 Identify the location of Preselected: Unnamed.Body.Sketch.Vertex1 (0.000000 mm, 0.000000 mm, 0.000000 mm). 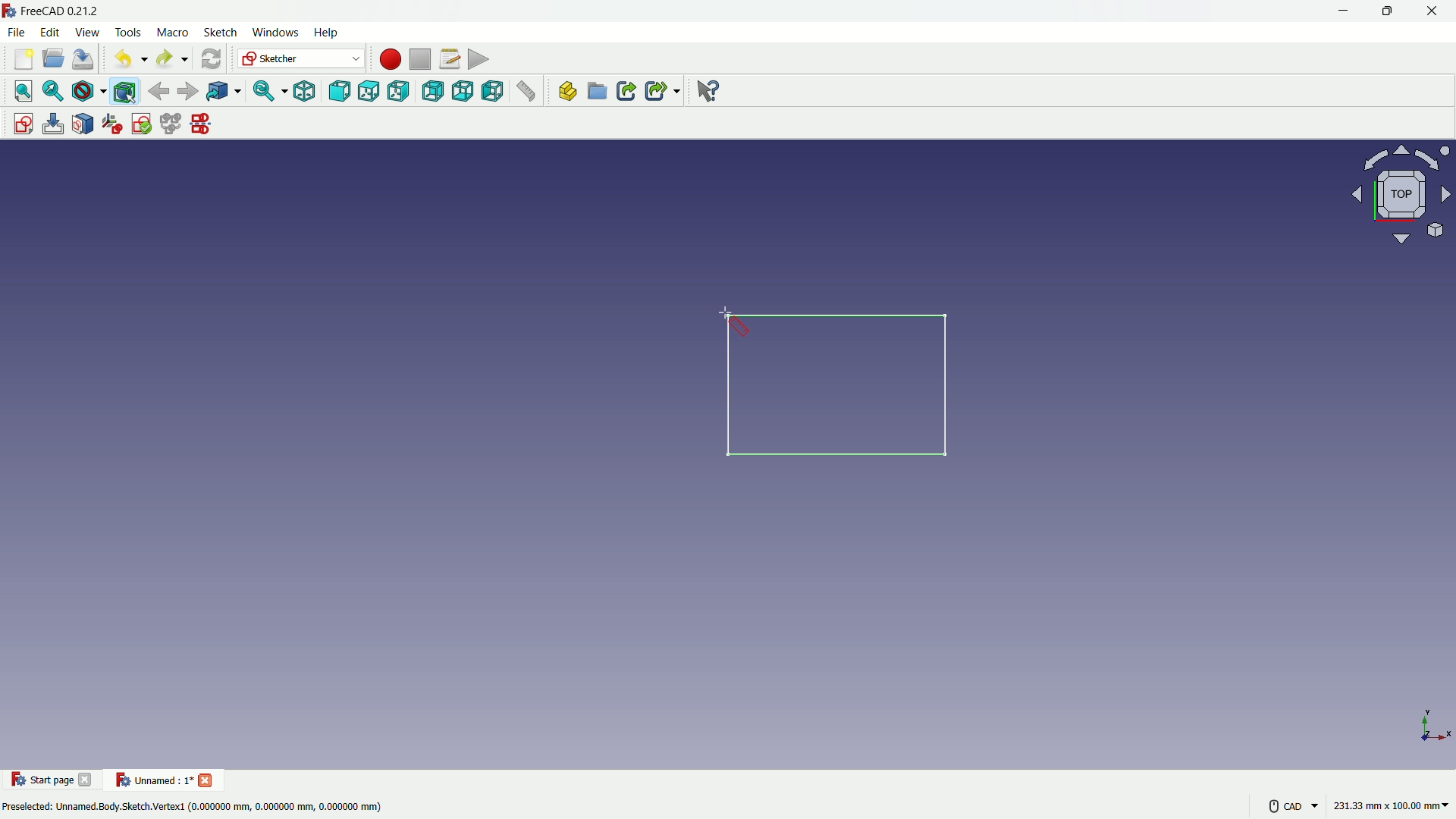
(193, 805).